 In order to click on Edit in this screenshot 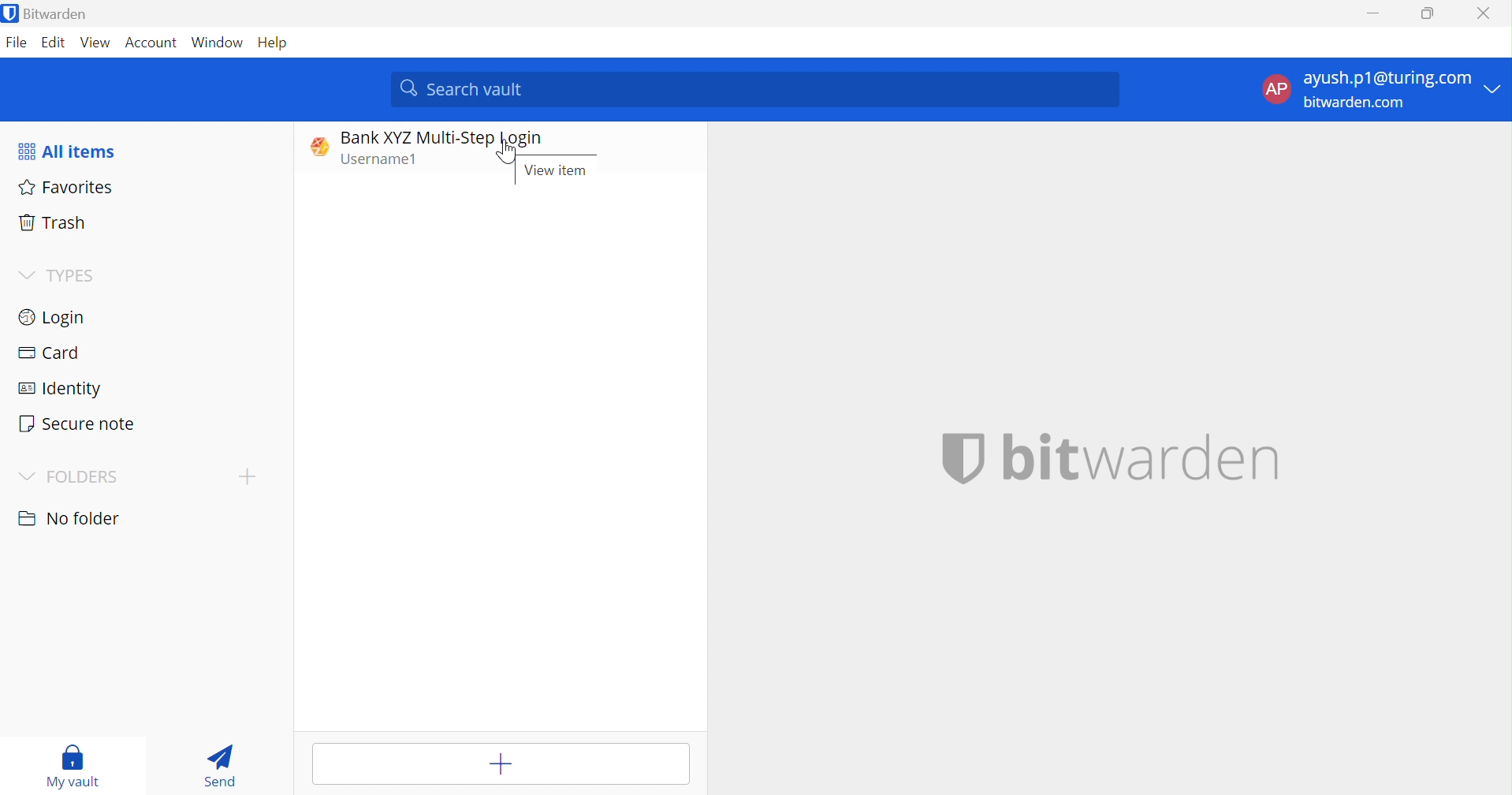, I will do `click(53, 43)`.